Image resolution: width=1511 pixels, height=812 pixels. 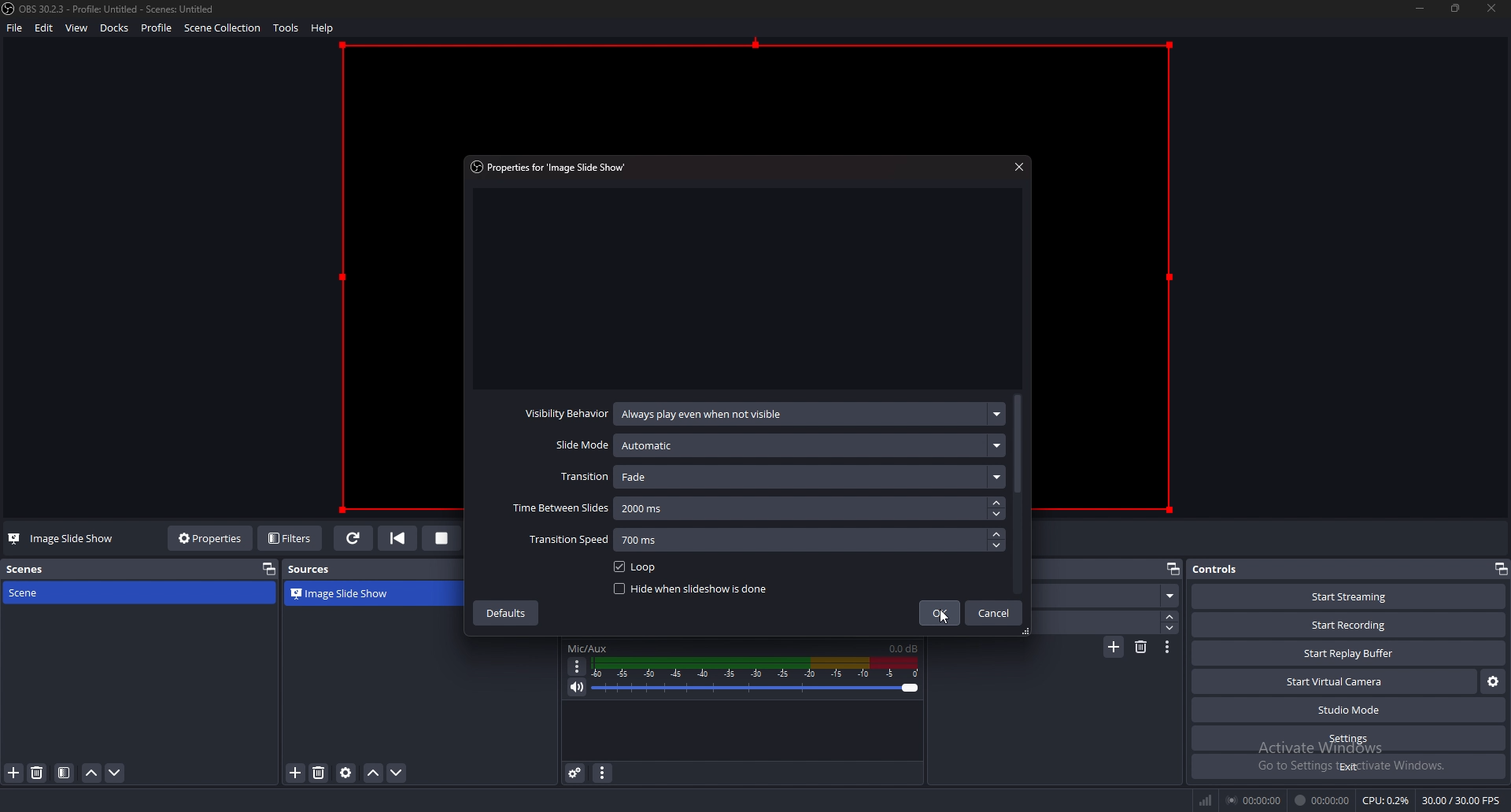 I want to click on increase duration, so click(x=1169, y=617).